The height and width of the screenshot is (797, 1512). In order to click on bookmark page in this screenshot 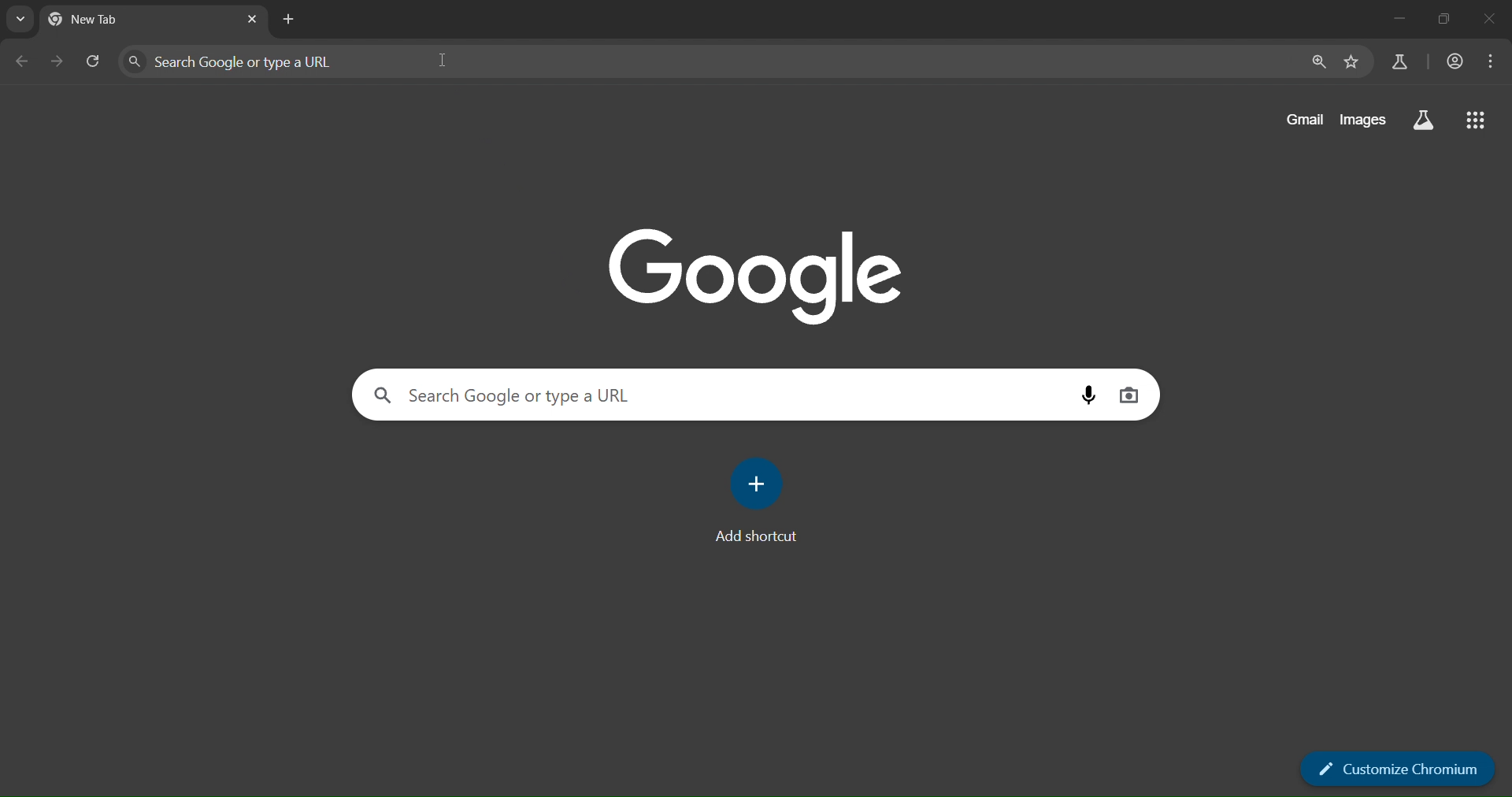, I will do `click(1351, 61)`.